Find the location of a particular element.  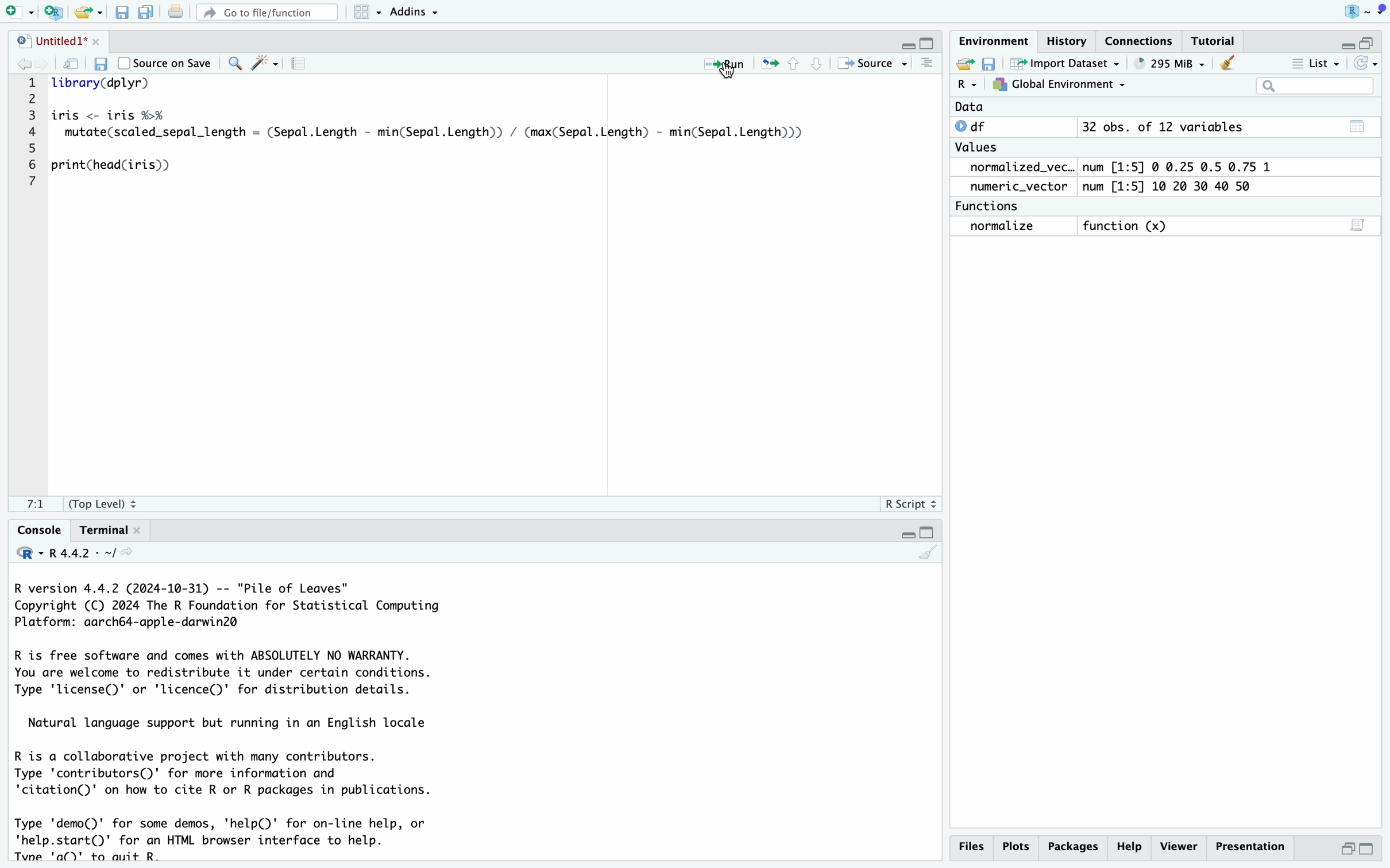

Presentation is located at coordinates (1252, 845).